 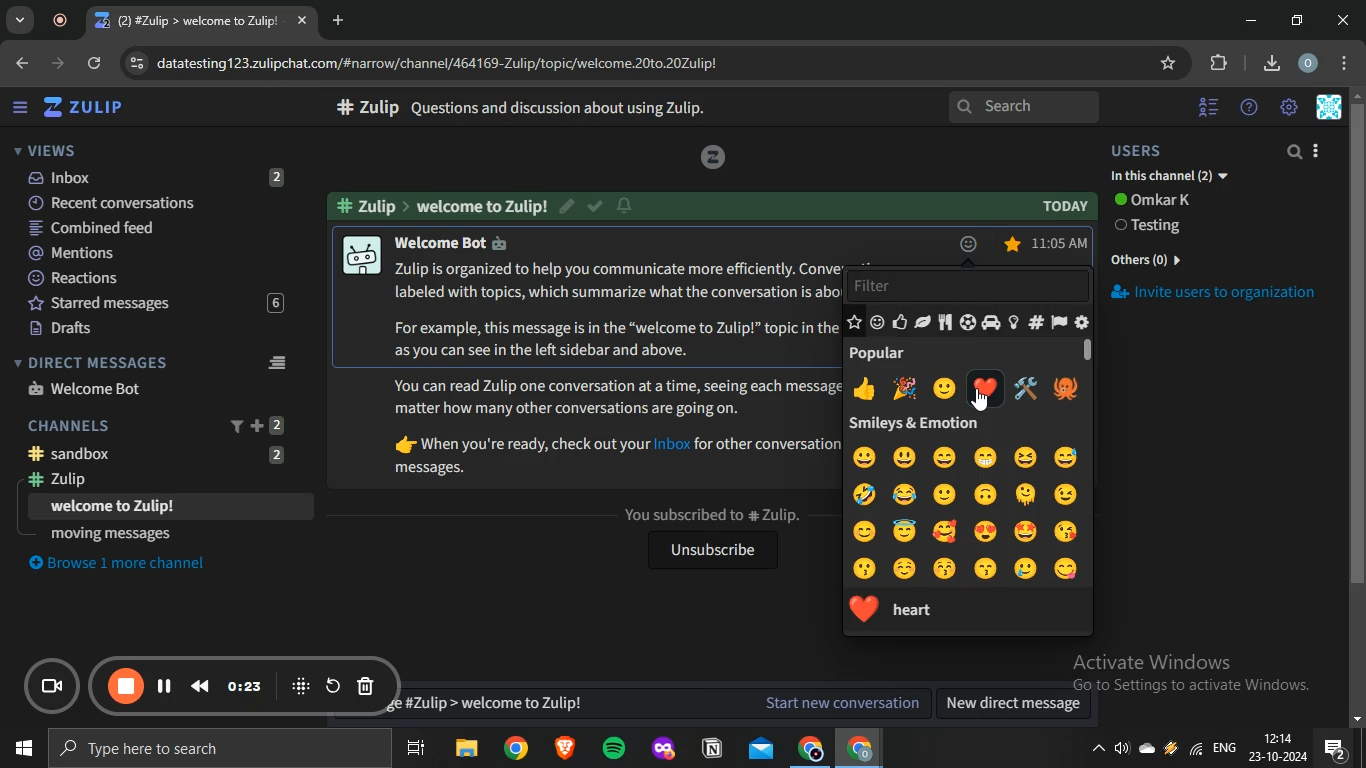 What do you see at coordinates (416, 750) in the screenshot?
I see `task view` at bounding box center [416, 750].